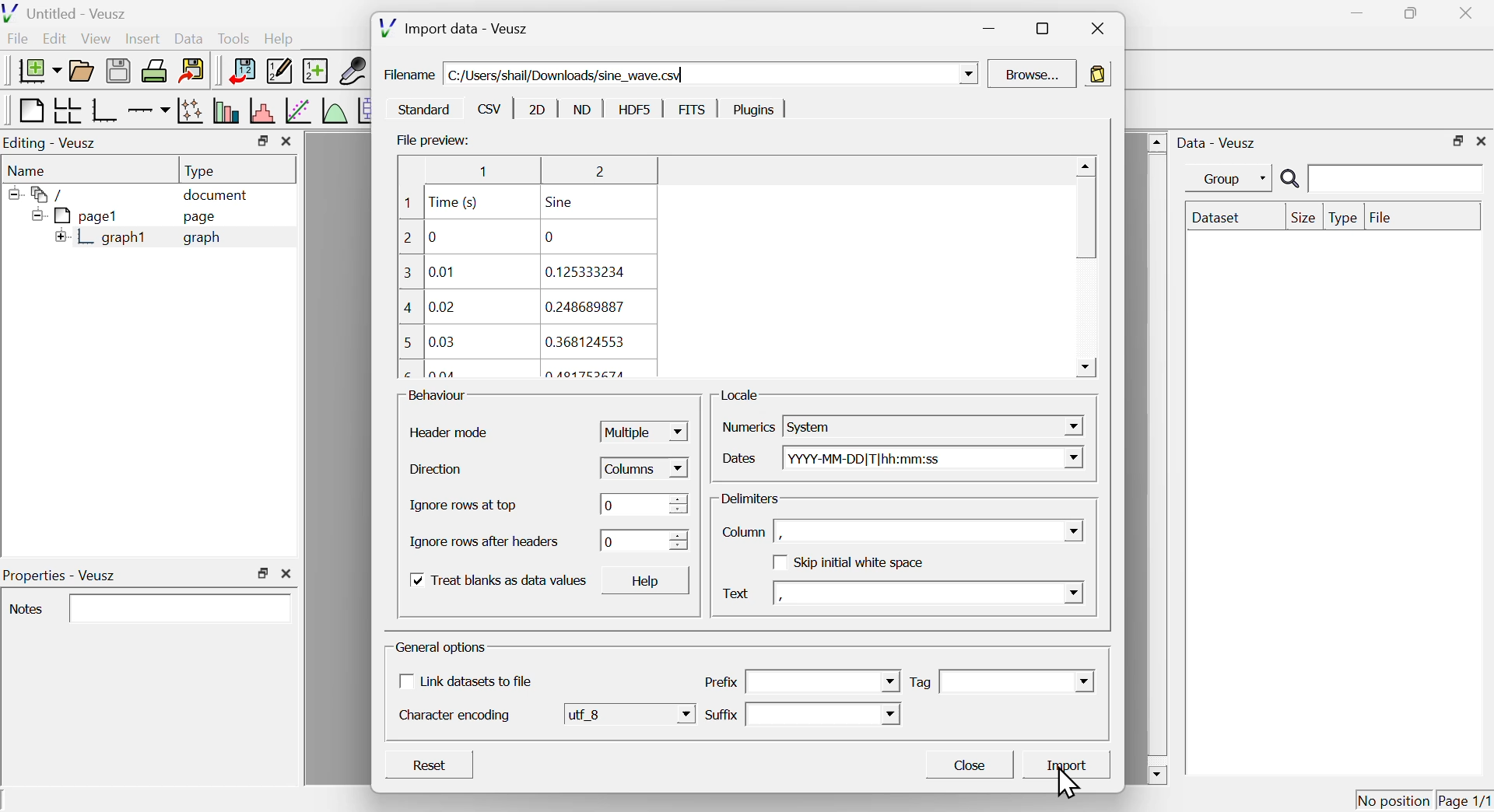 The height and width of the screenshot is (812, 1494). What do you see at coordinates (1381, 215) in the screenshot?
I see `file` at bounding box center [1381, 215].